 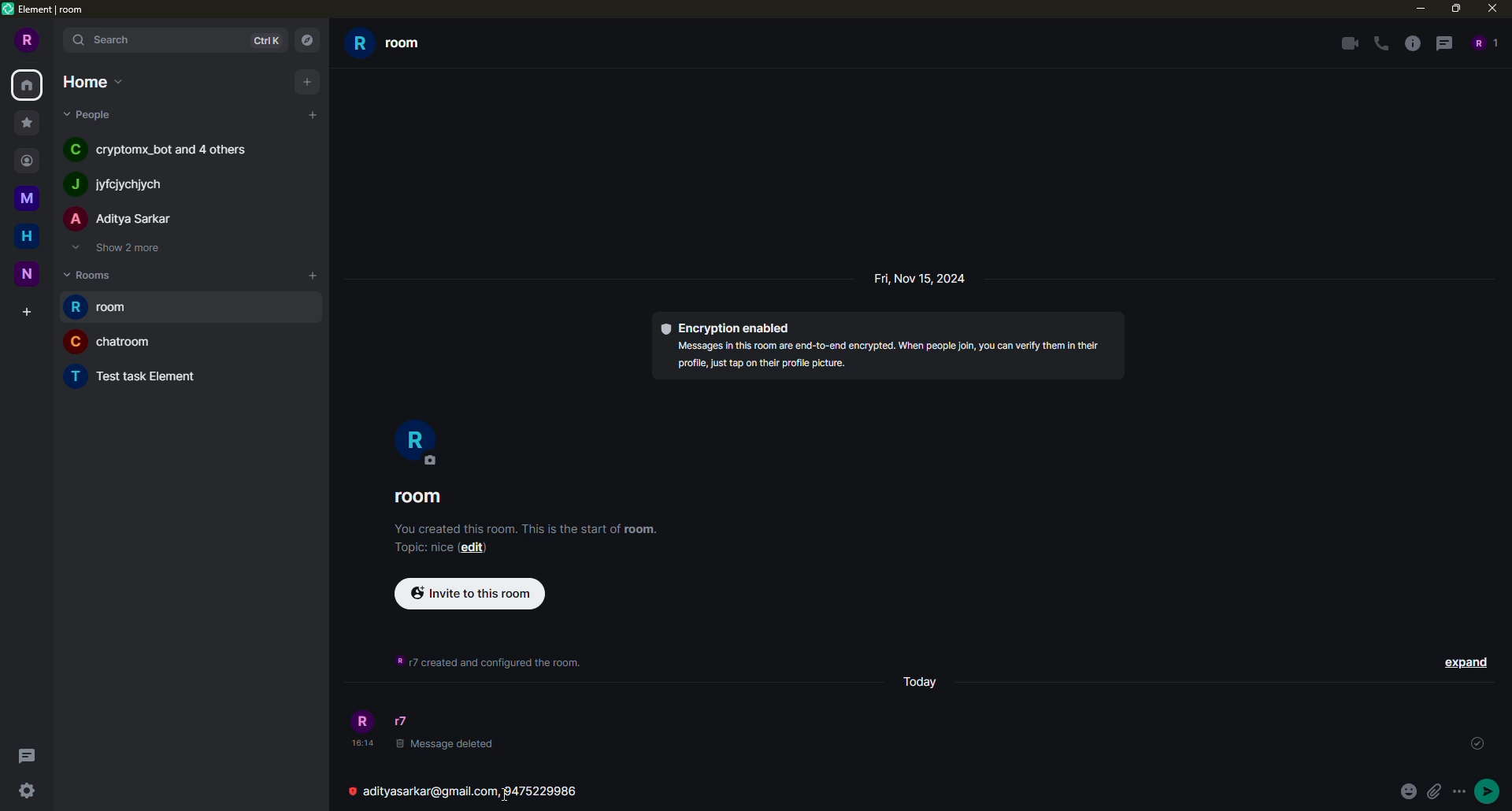 What do you see at coordinates (920, 683) in the screenshot?
I see `day` at bounding box center [920, 683].